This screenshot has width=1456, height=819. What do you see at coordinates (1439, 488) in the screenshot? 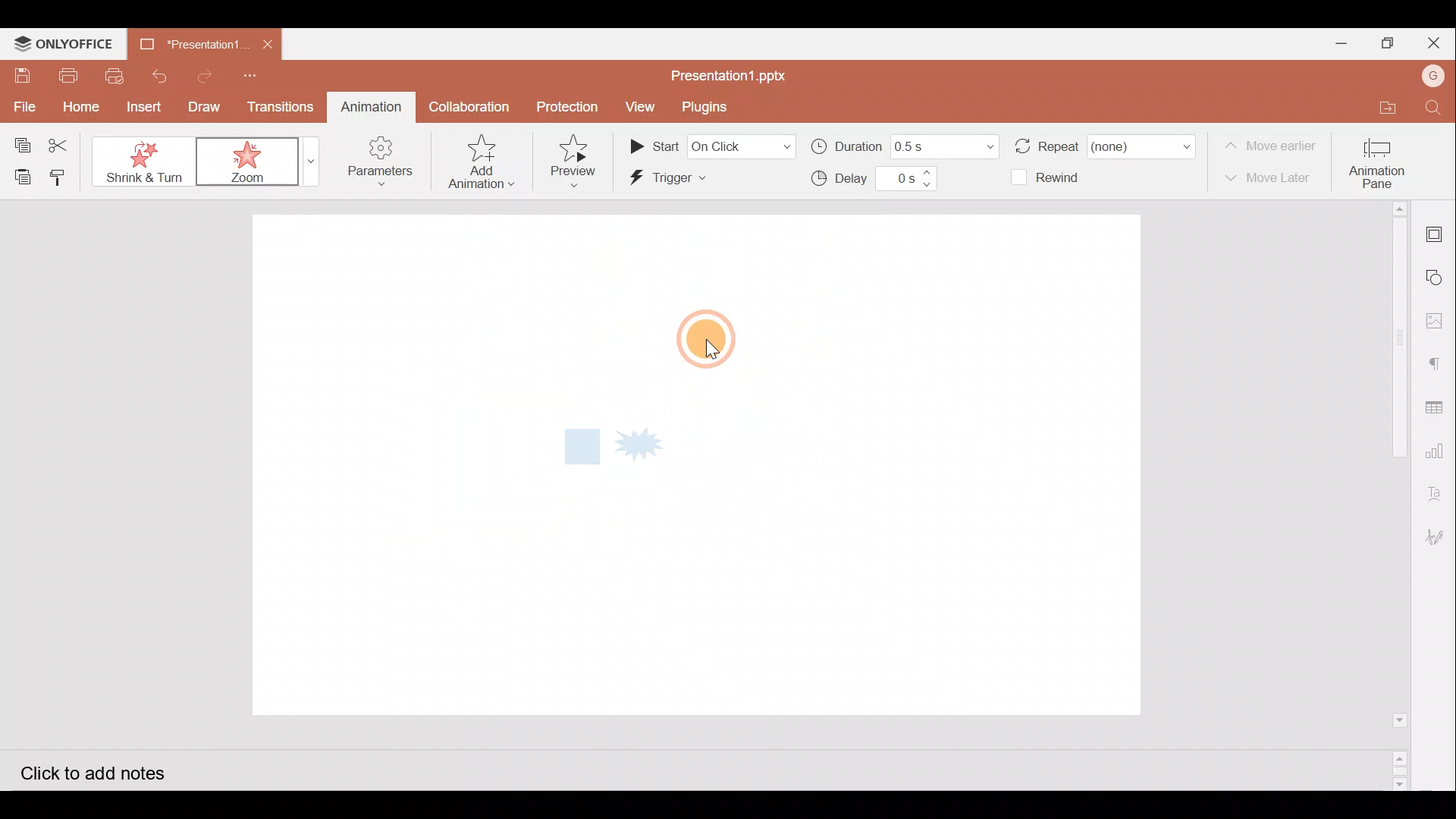
I see `Text Art settings` at bounding box center [1439, 488].